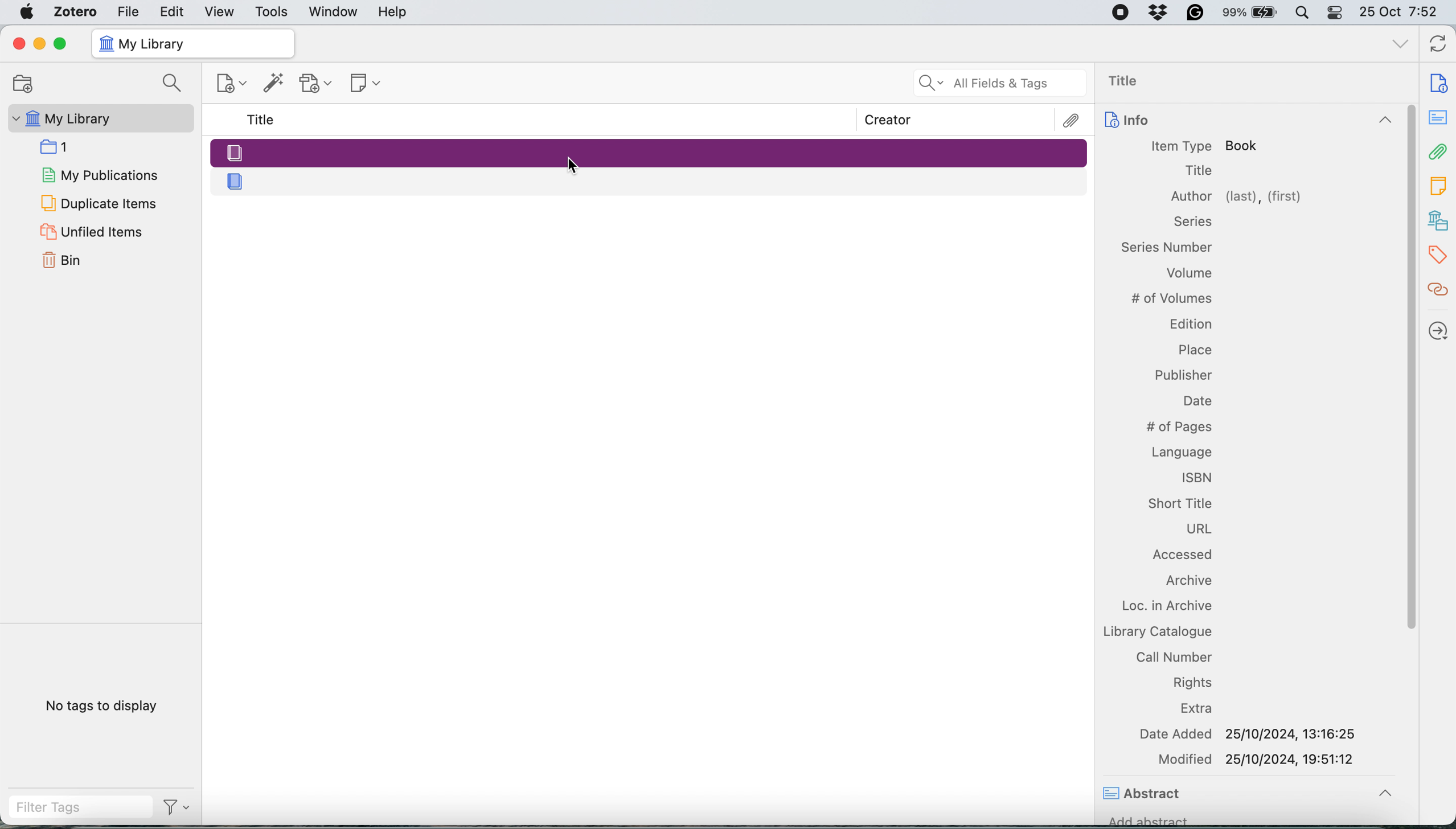  What do you see at coordinates (233, 85) in the screenshot?
I see `New Item` at bounding box center [233, 85].